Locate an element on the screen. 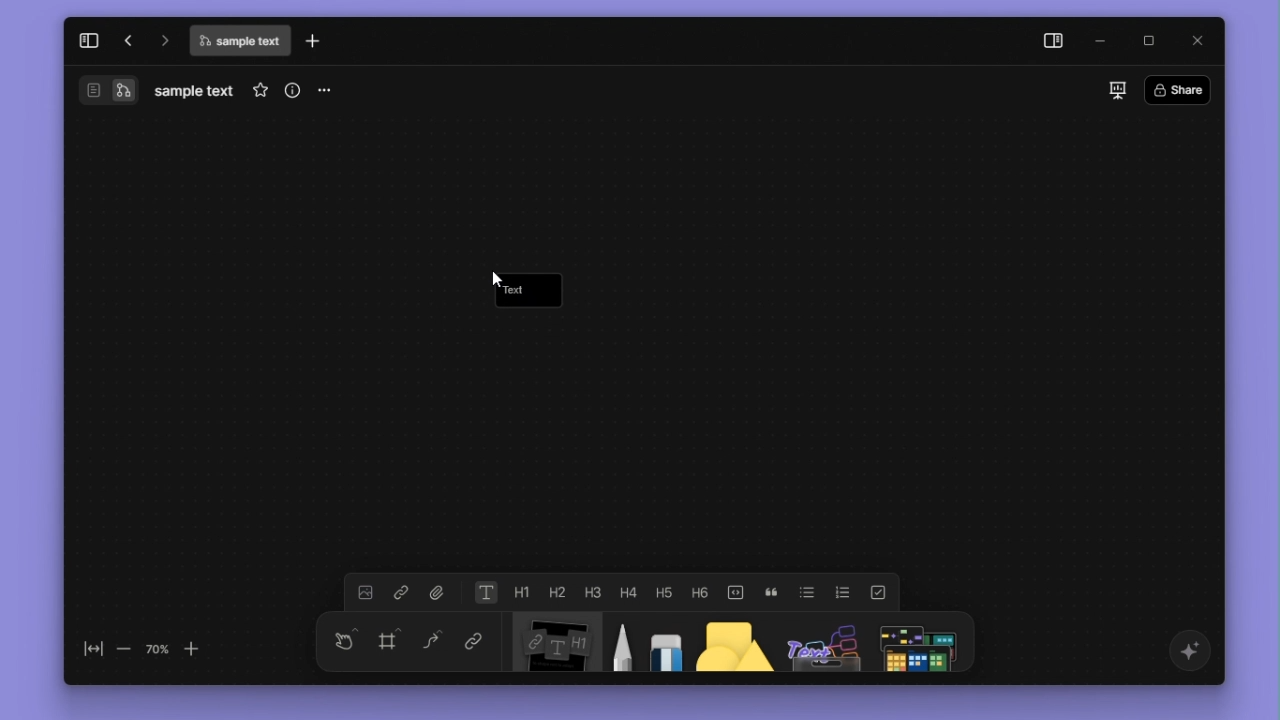  Note N is located at coordinates (550, 645).